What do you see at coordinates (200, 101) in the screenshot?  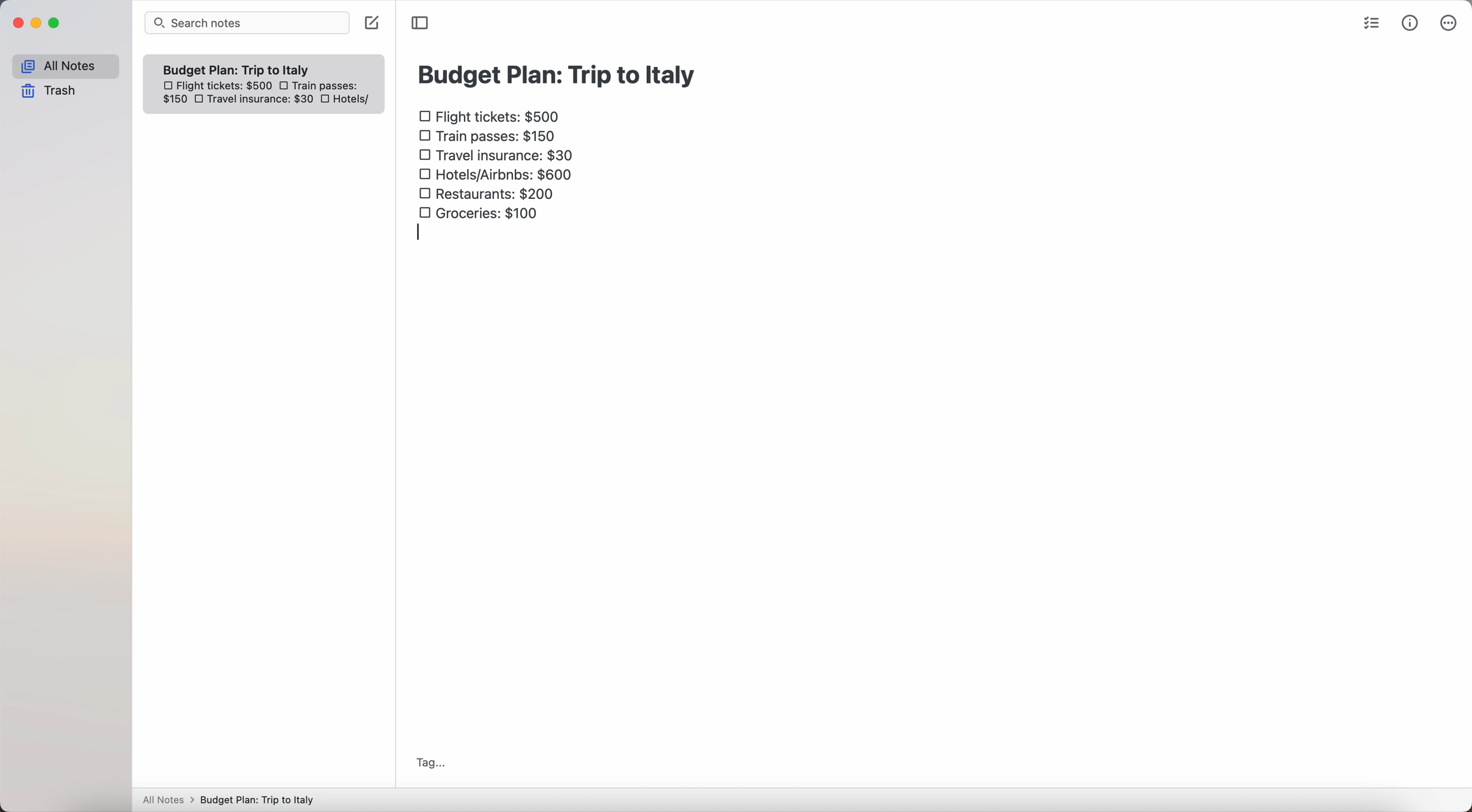 I see `checkbox` at bounding box center [200, 101].